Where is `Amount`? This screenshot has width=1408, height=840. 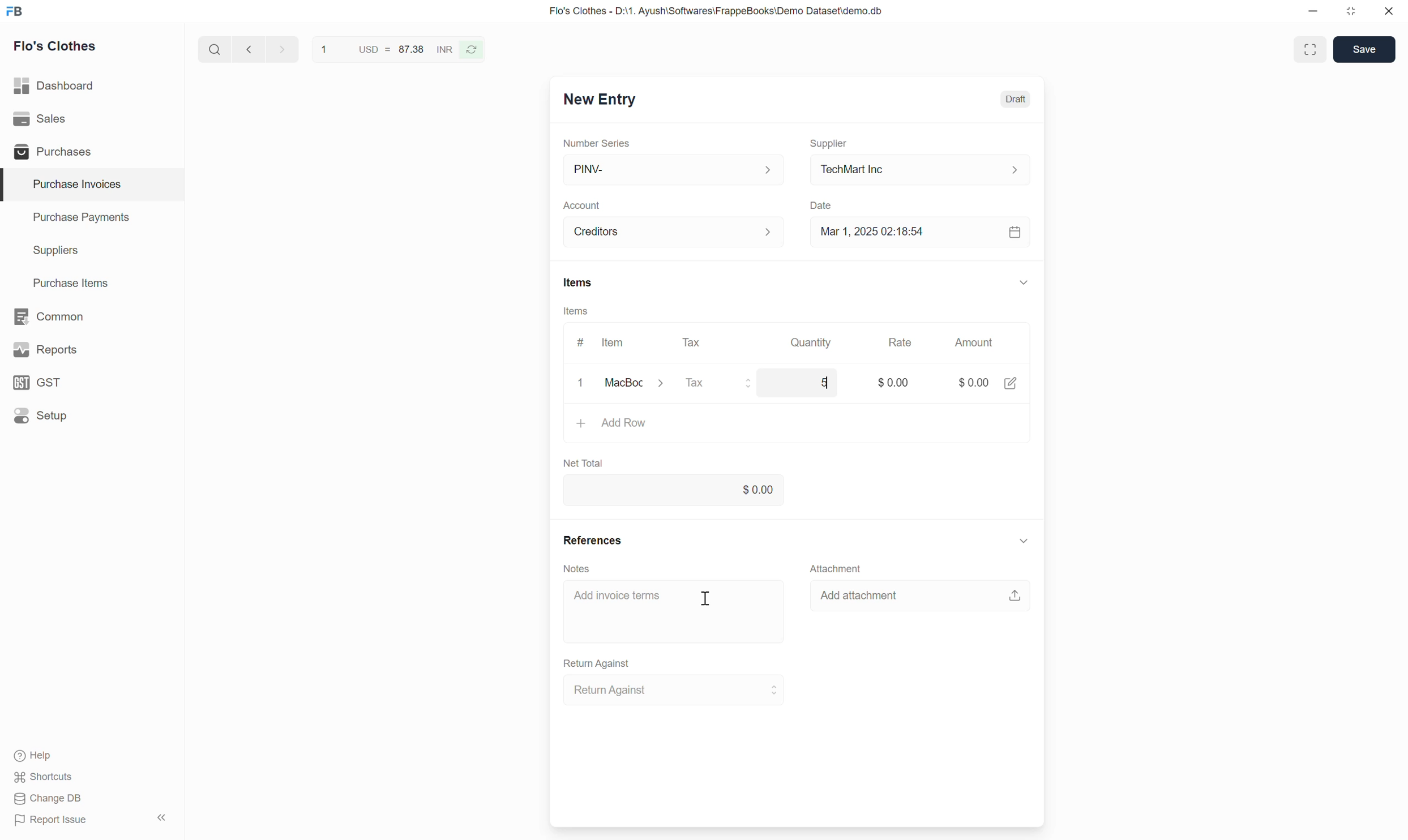
Amount is located at coordinates (978, 342).